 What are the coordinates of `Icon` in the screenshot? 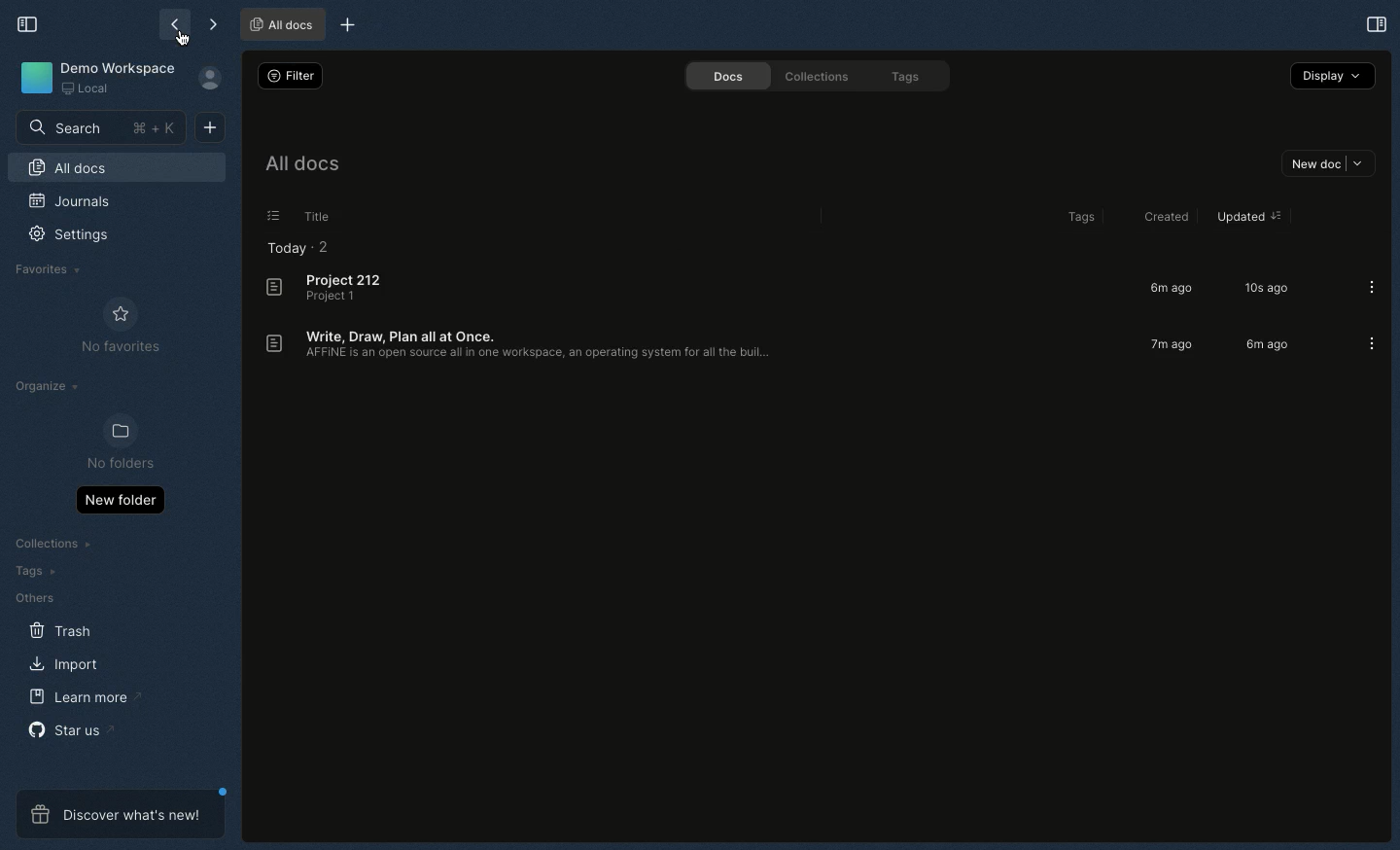 It's located at (32, 78).